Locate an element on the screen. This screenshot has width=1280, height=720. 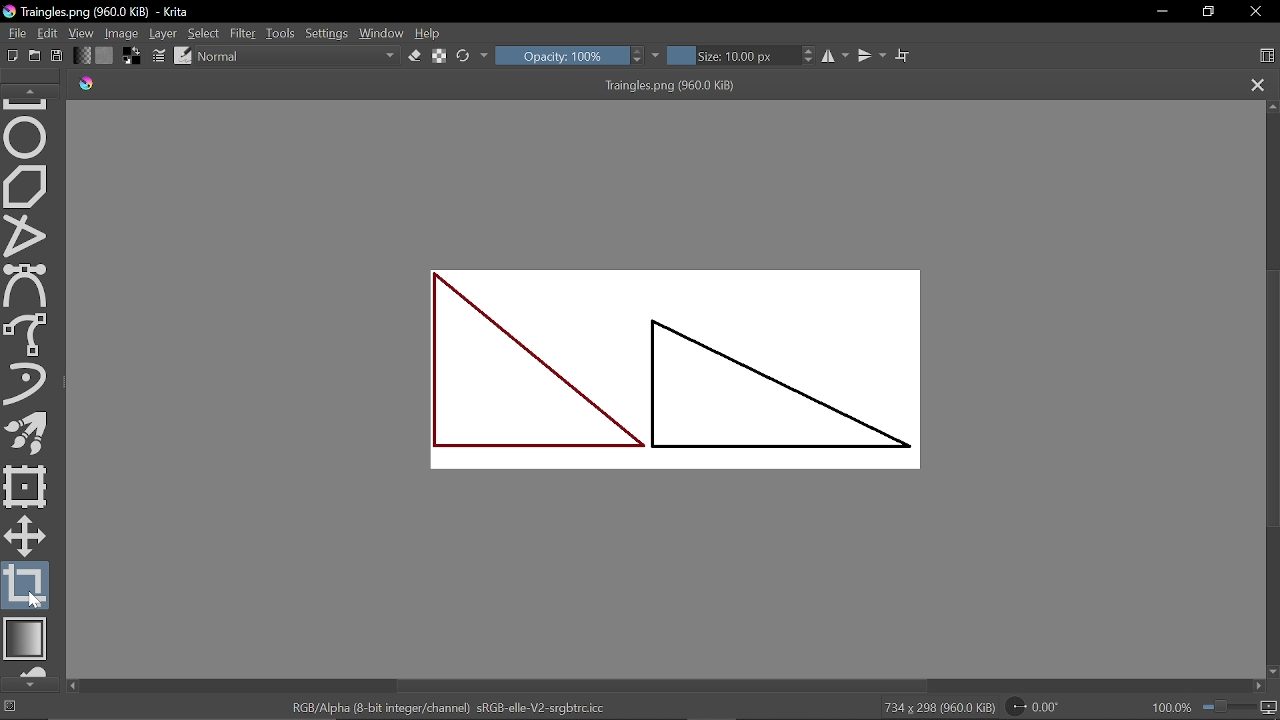
Normal is located at coordinates (299, 57).